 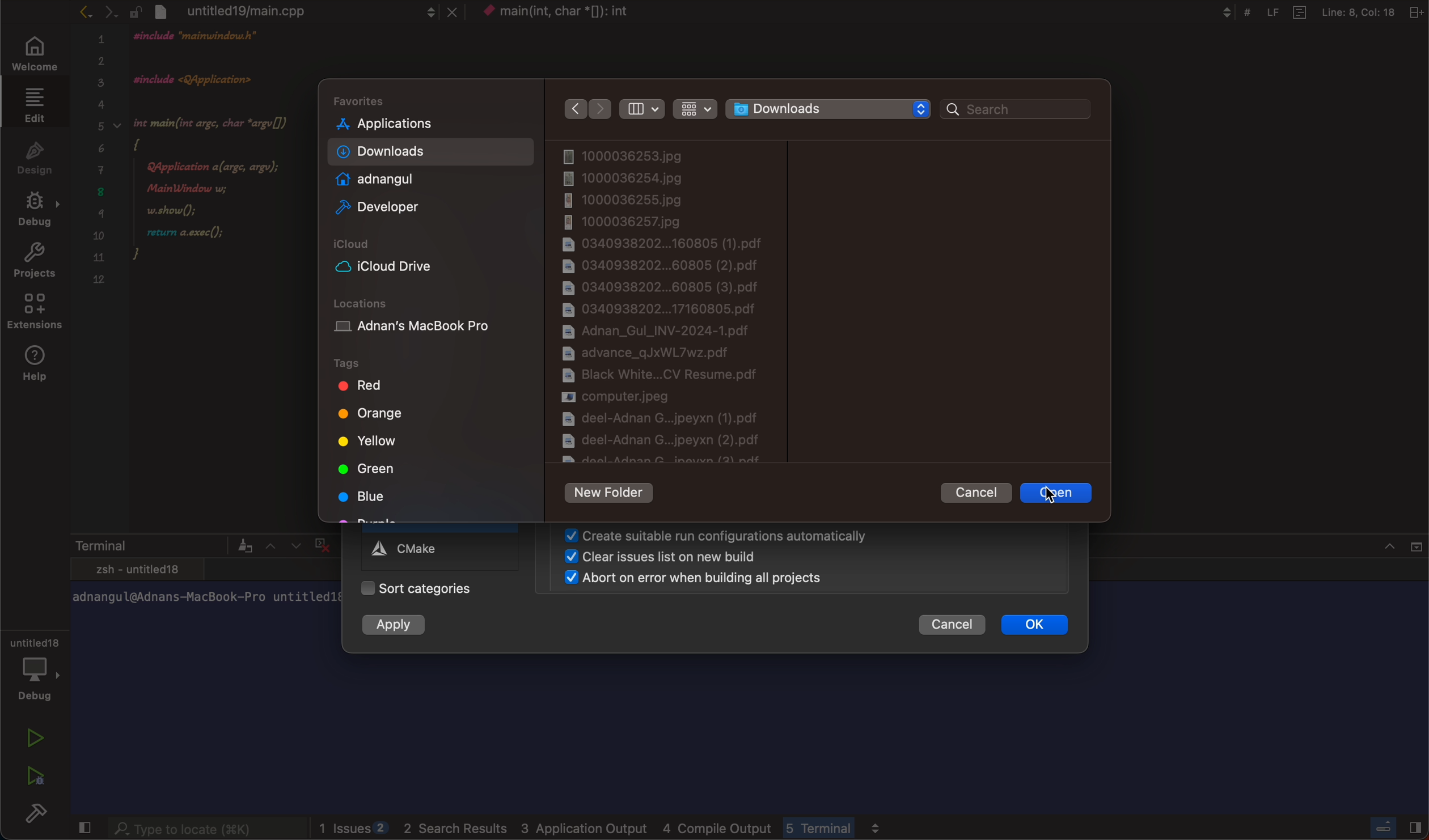 What do you see at coordinates (1056, 493) in the screenshot?
I see `cursor` at bounding box center [1056, 493].